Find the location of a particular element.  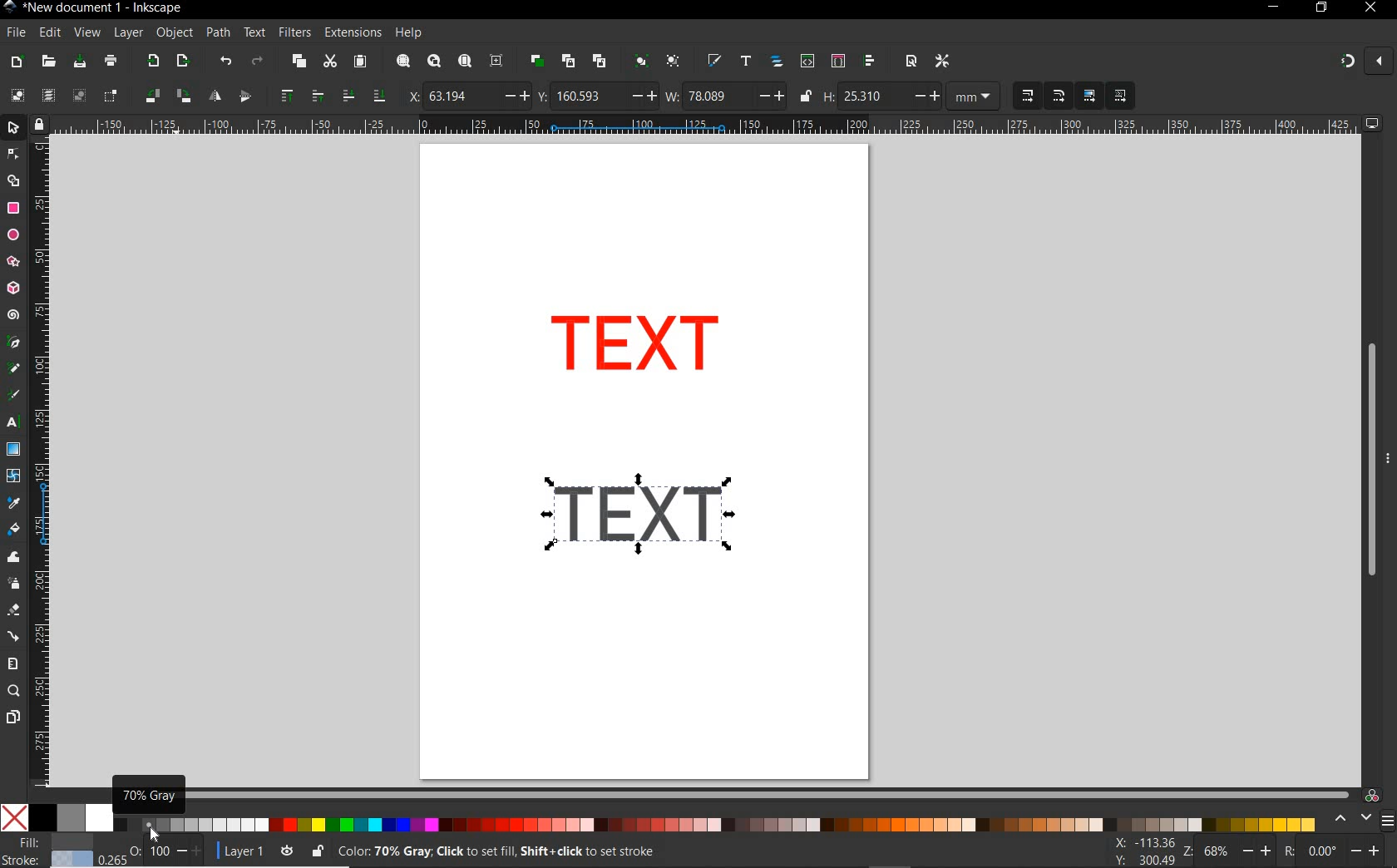

open file dialog is located at coordinates (50, 61).